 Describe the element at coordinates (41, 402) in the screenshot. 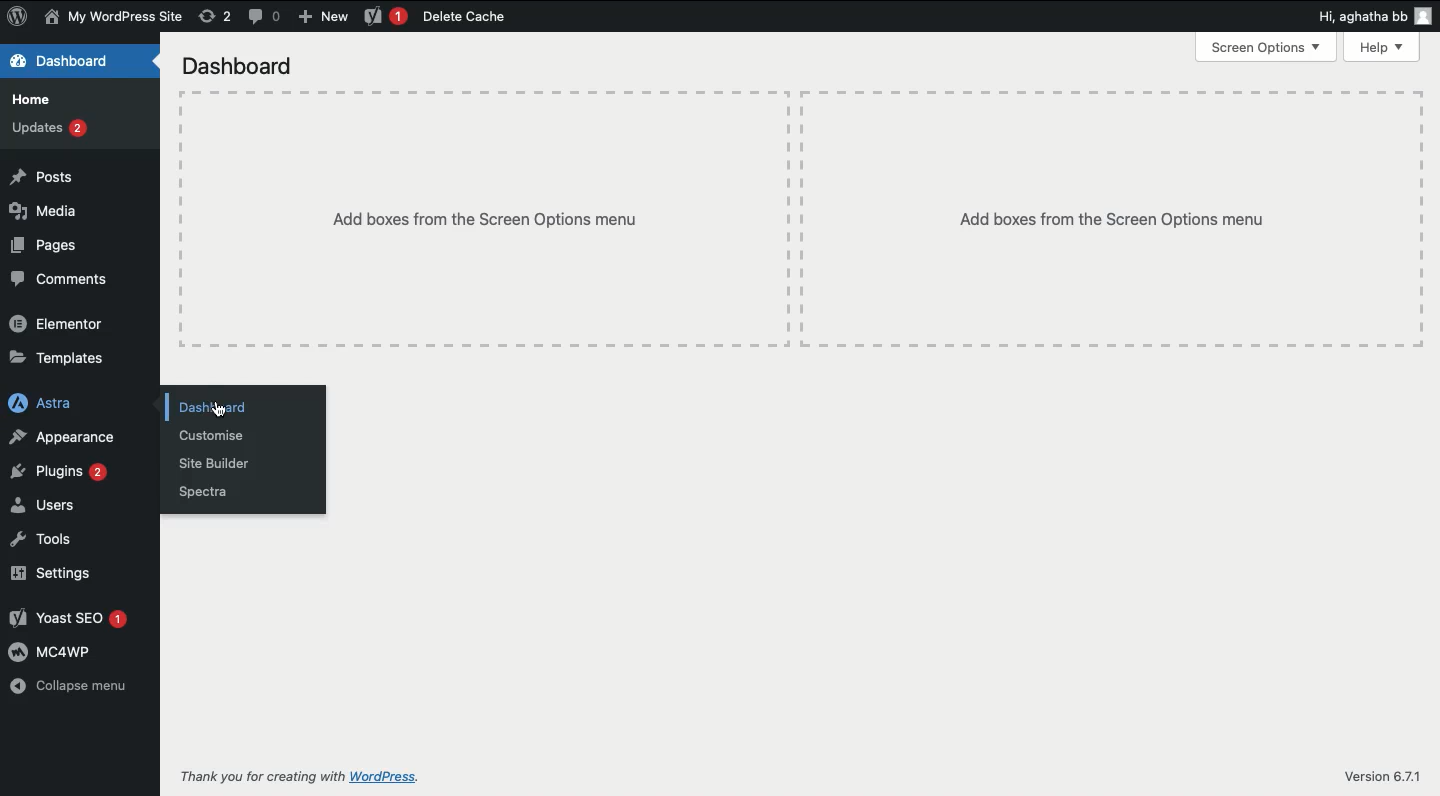

I see `Astra` at that location.